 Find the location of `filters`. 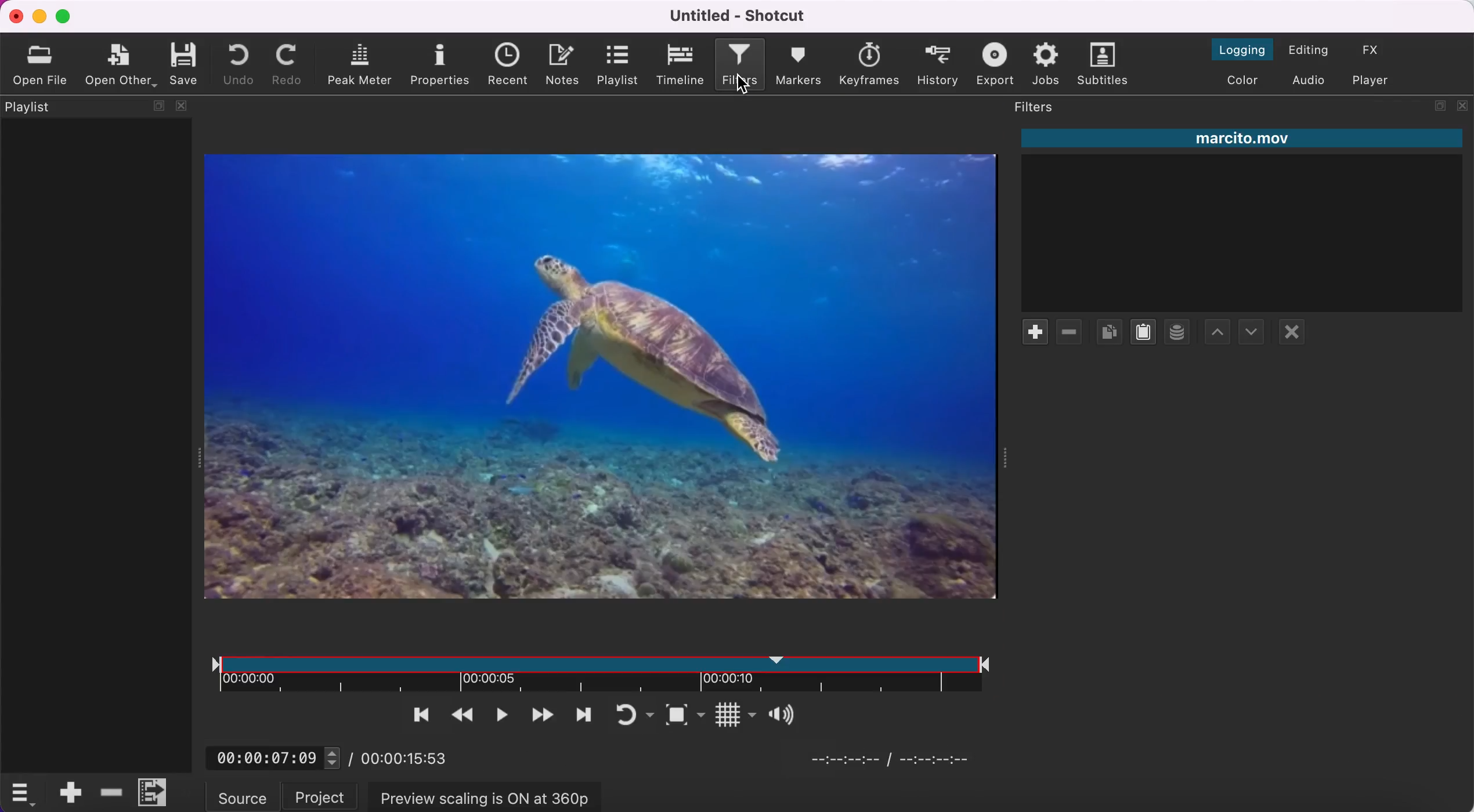

filters is located at coordinates (737, 66).